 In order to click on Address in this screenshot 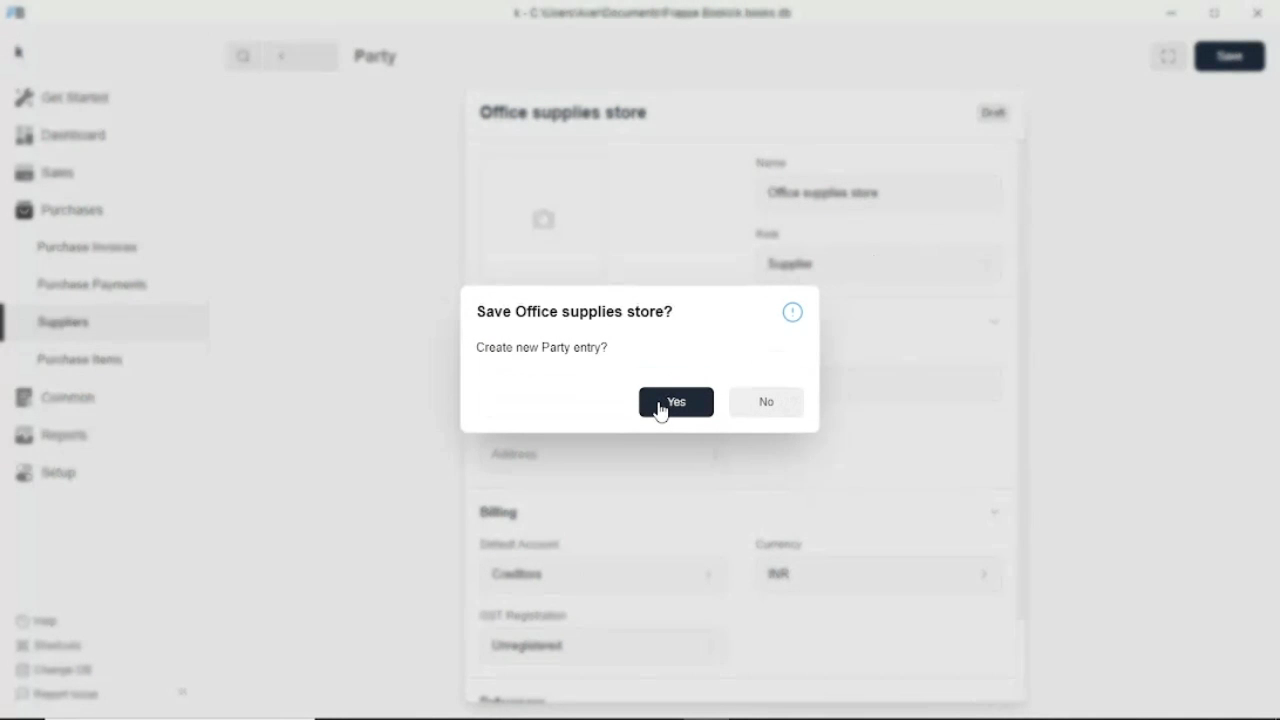, I will do `click(738, 454)`.